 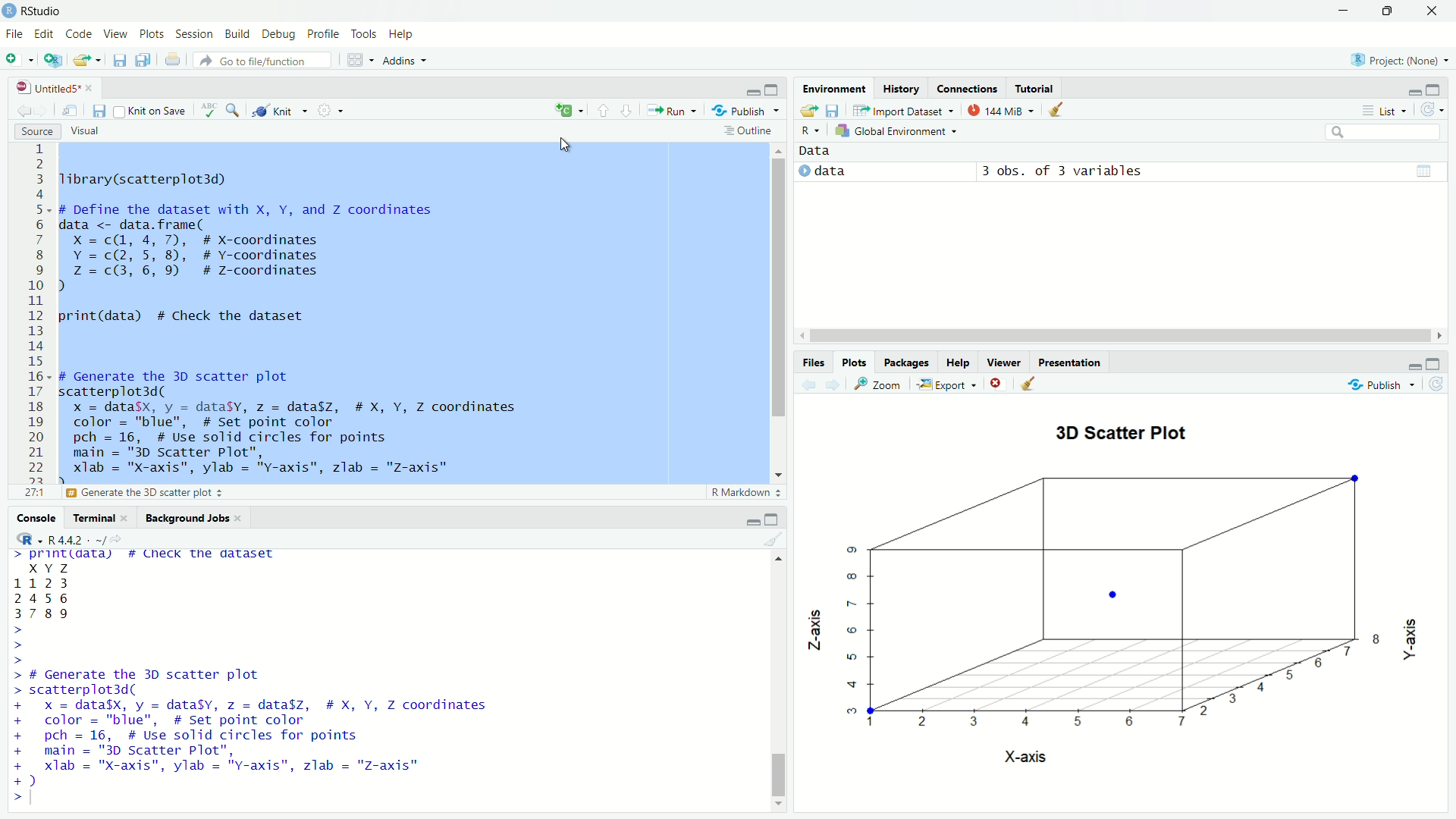 I want to click on move right, so click(x=1442, y=334).